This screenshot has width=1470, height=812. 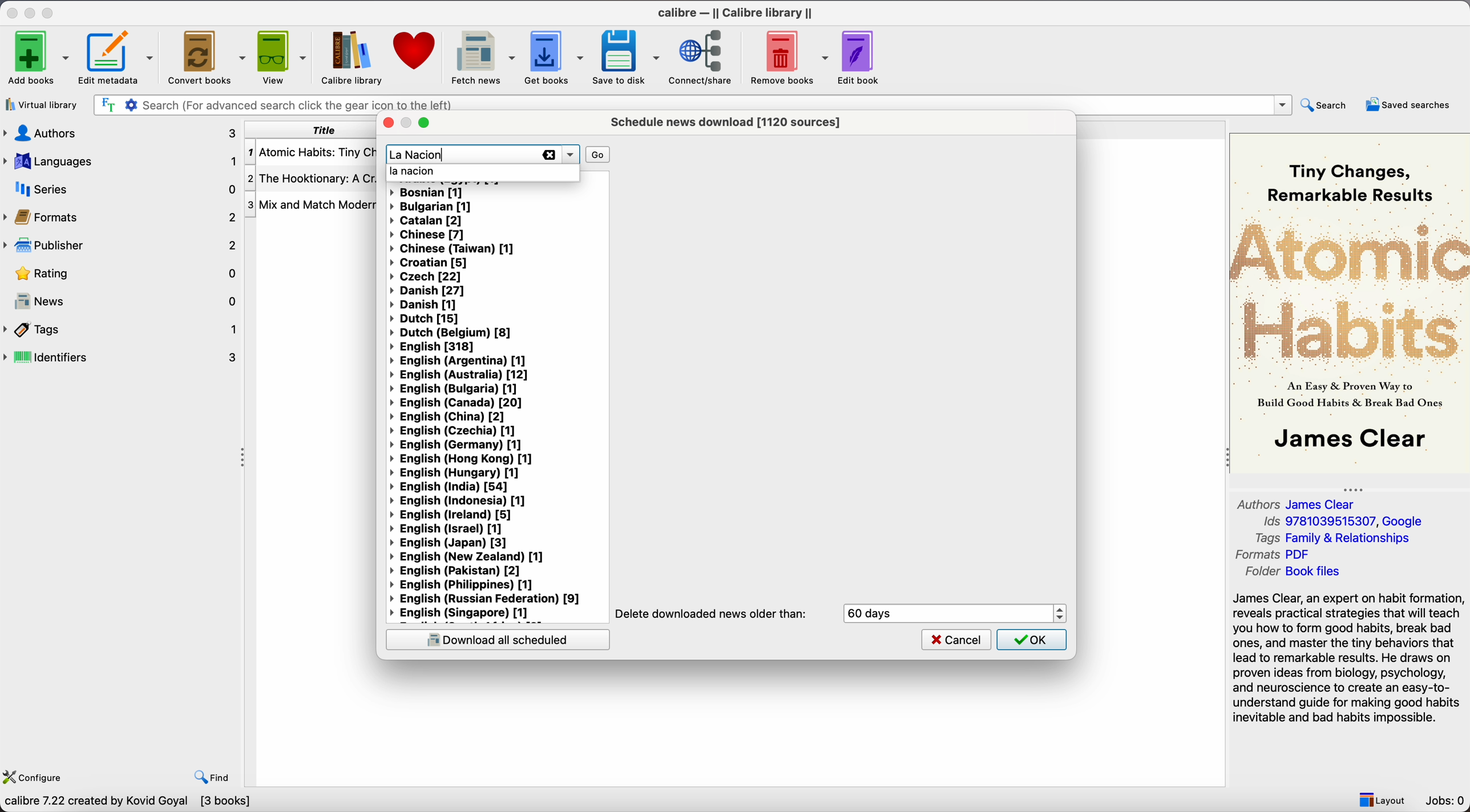 I want to click on Tags Family & Relationships, so click(x=1338, y=538).